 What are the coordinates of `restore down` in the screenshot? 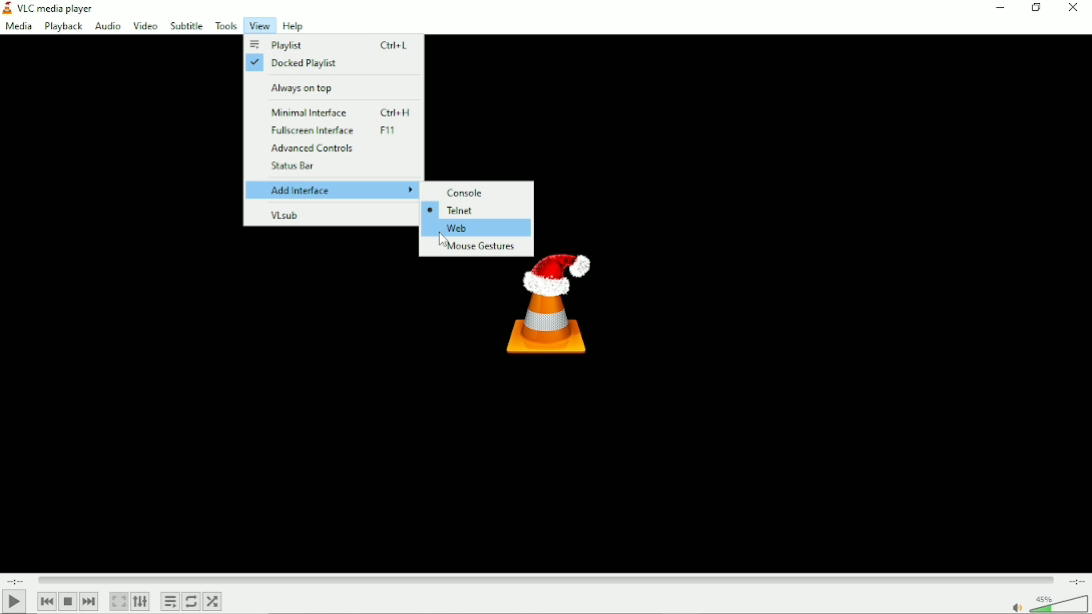 It's located at (1039, 8).